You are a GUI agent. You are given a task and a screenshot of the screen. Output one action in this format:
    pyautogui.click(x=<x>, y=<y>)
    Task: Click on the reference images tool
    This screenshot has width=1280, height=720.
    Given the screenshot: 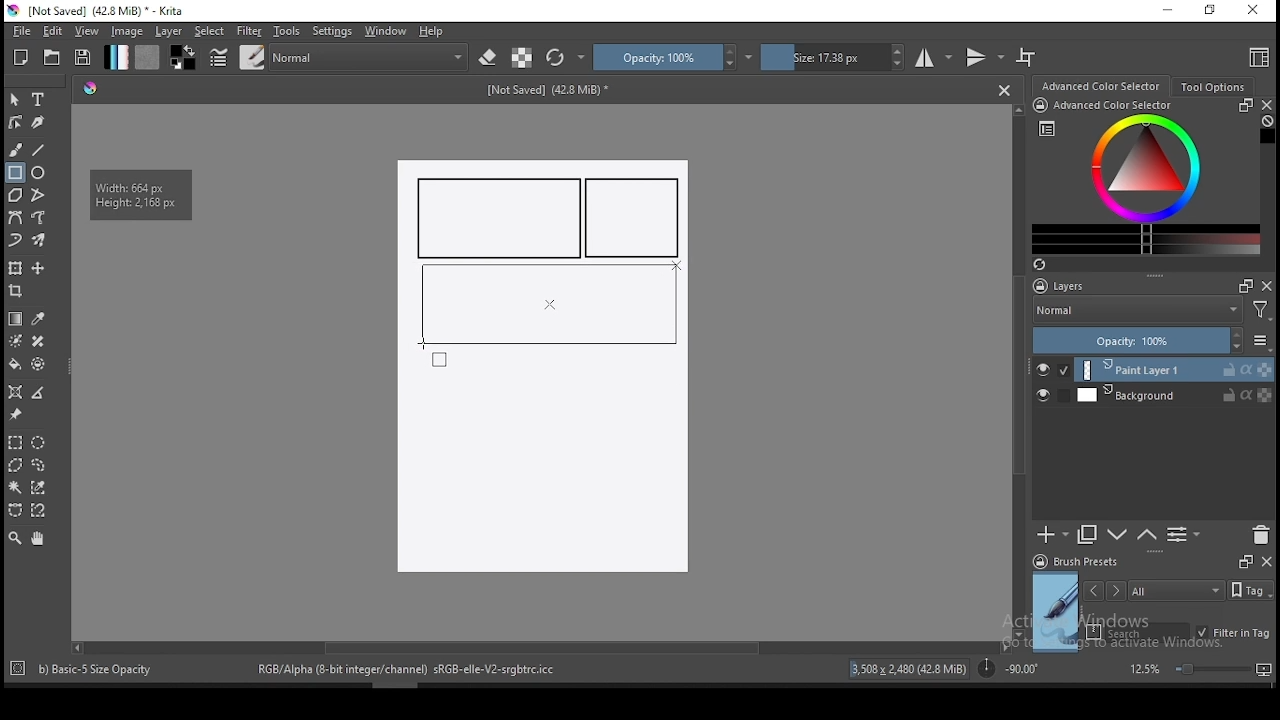 What is the action you would take?
    pyautogui.click(x=14, y=415)
    